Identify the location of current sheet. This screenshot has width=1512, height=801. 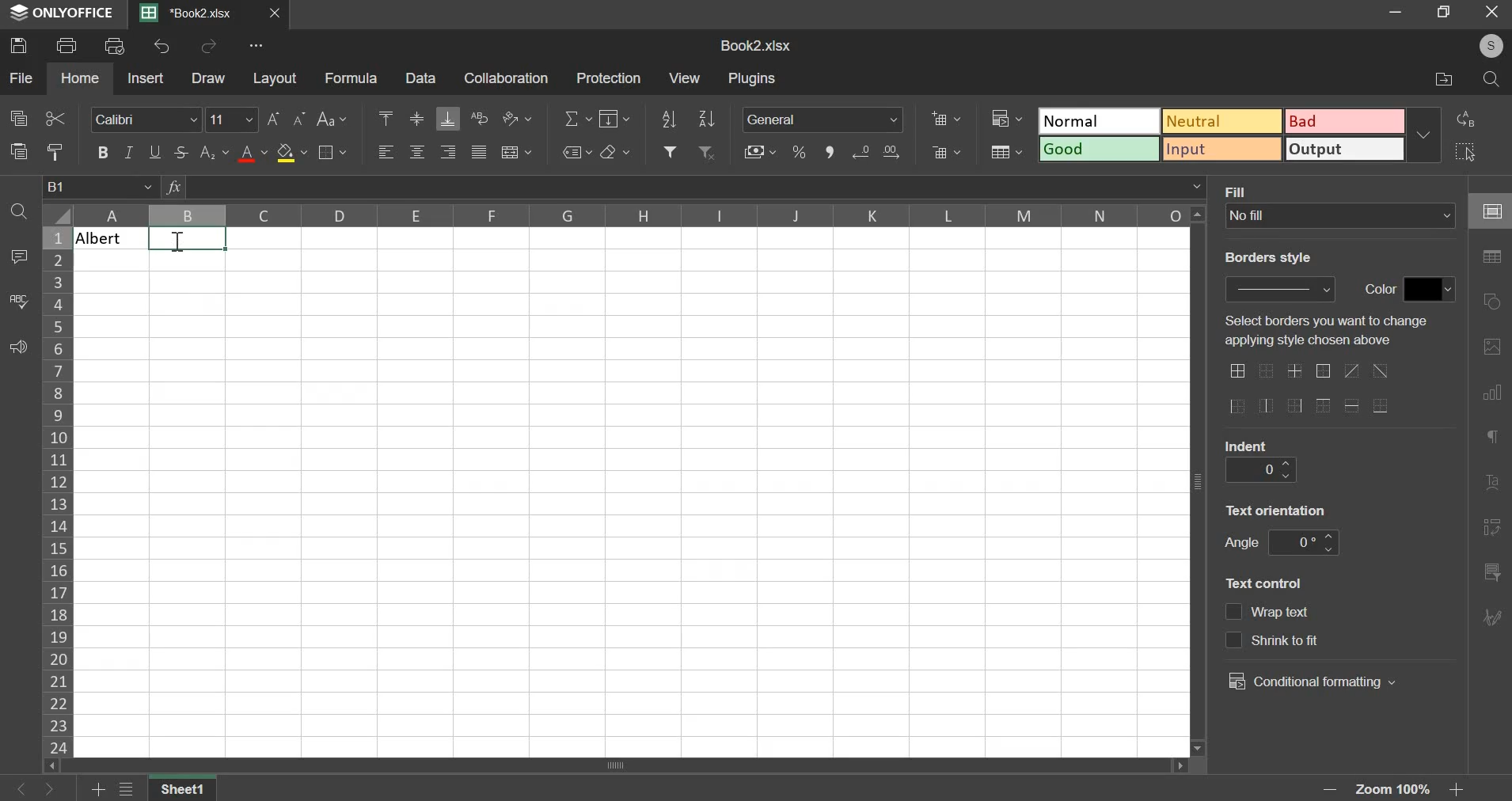
(193, 14).